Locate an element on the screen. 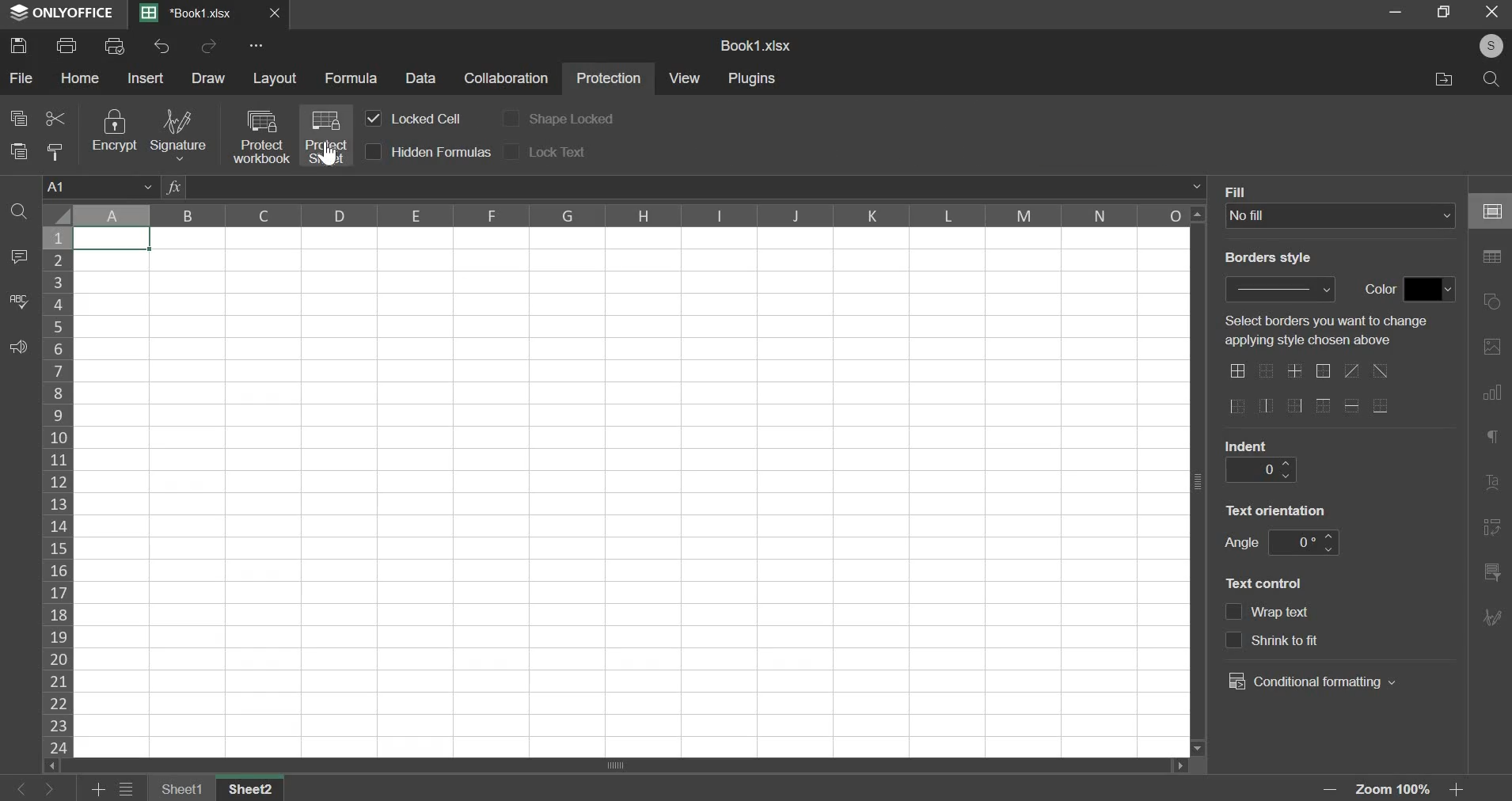 The image size is (1512, 801). formula is located at coordinates (351, 78).